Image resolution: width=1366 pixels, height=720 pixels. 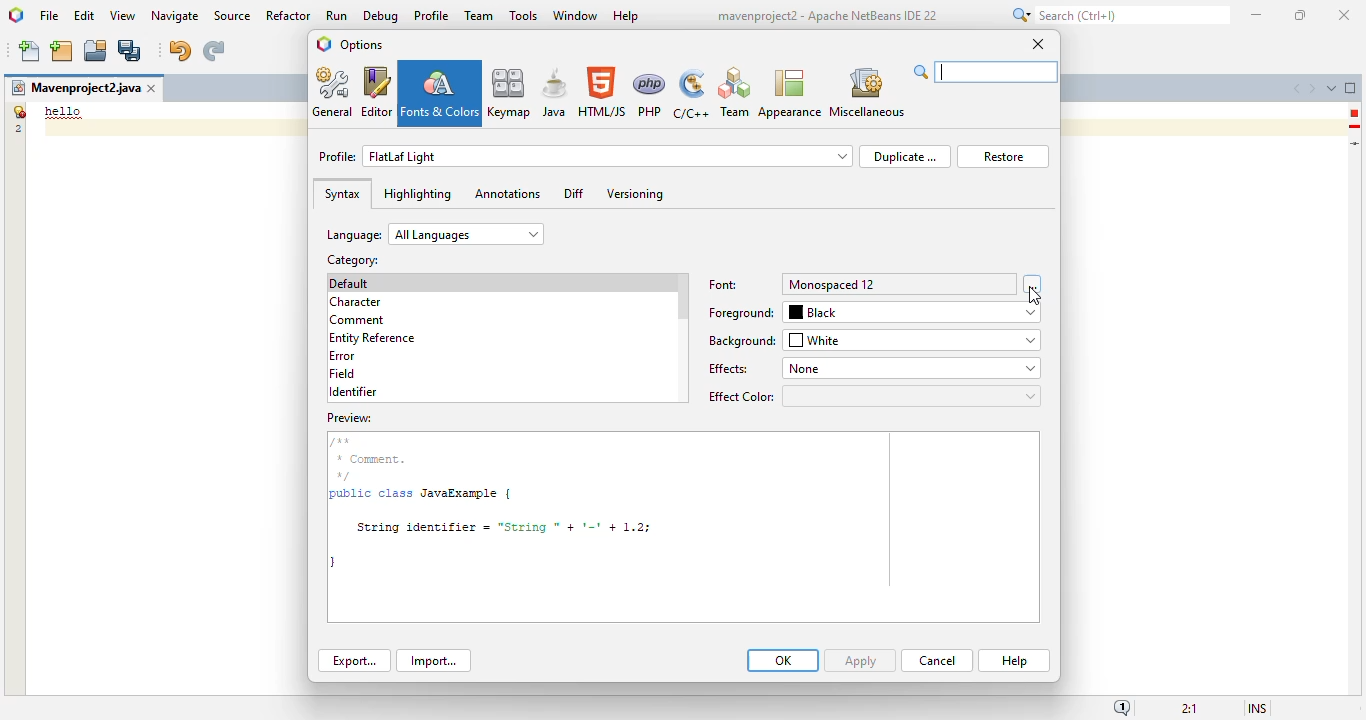 I want to click on identifier, so click(x=353, y=392).